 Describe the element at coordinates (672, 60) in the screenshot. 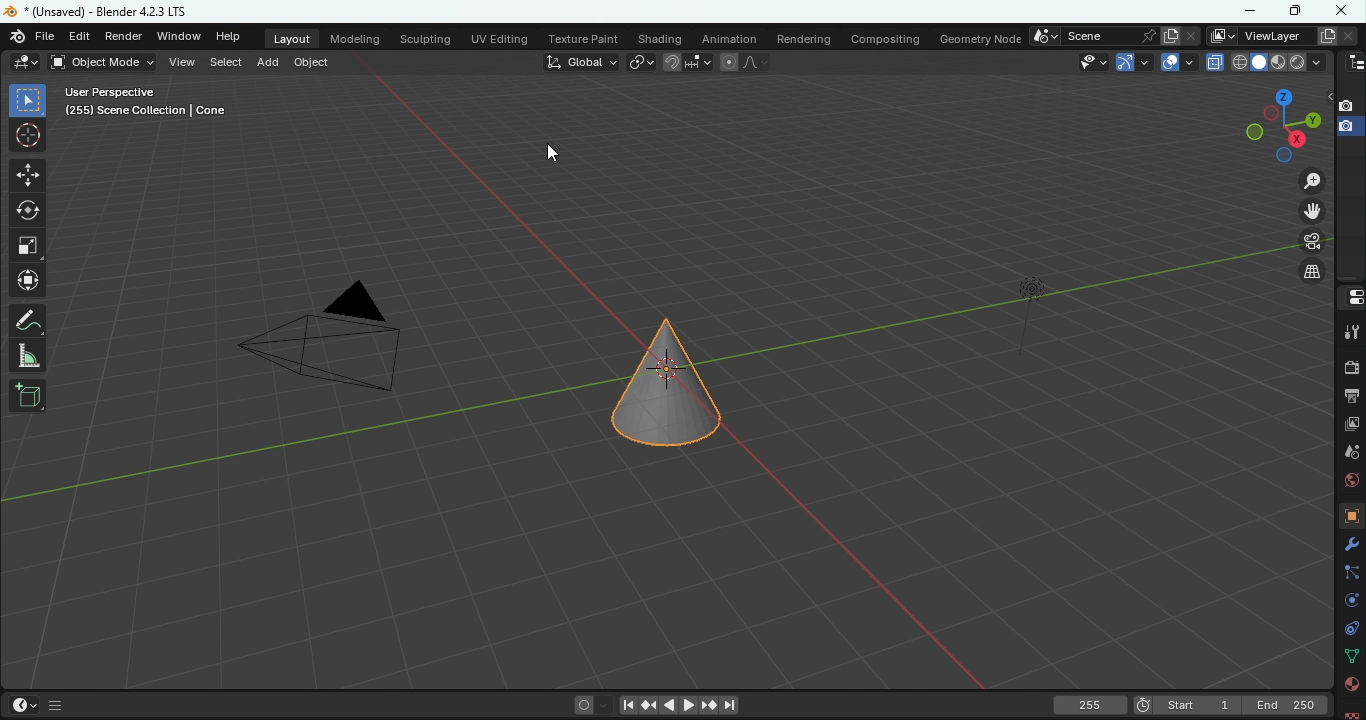

I see `Snap` at that location.